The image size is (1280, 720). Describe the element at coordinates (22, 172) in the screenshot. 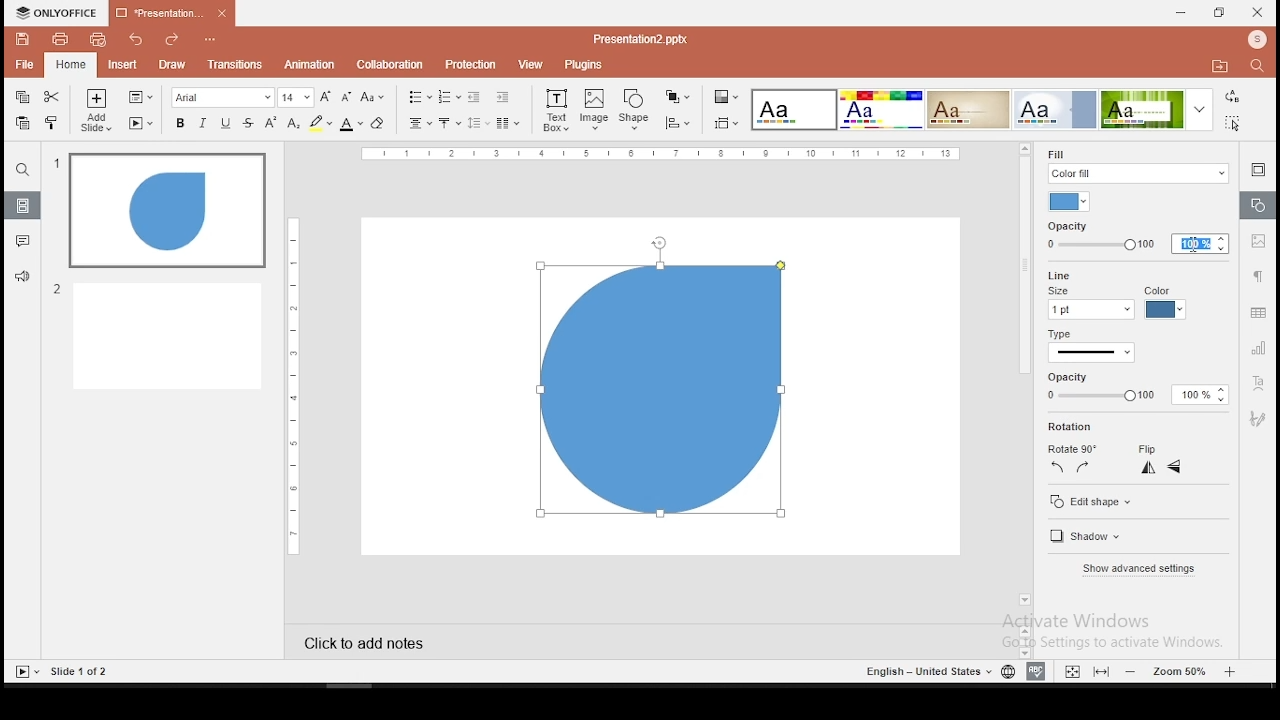

I see `find` at that location.